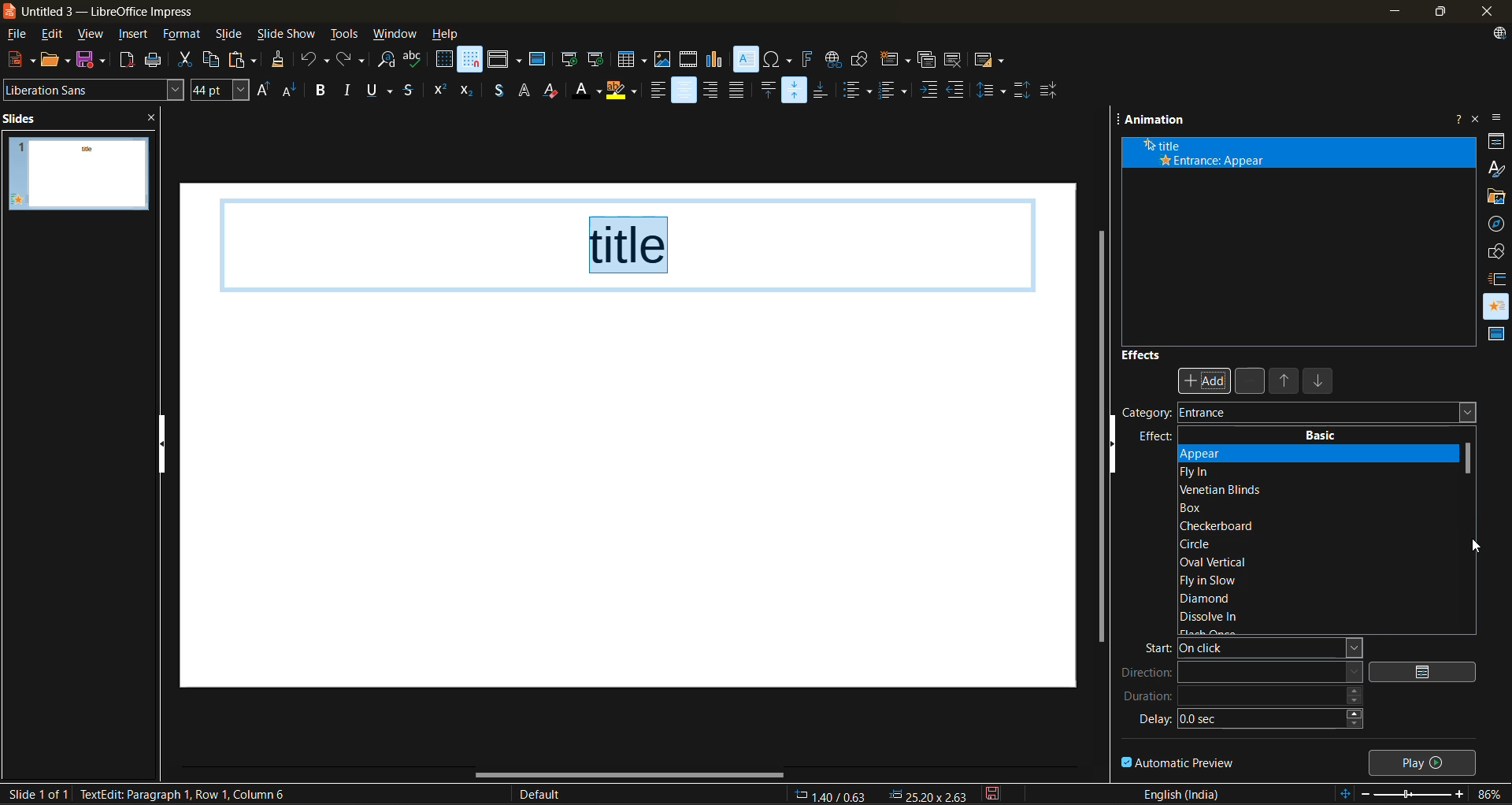 The height and width of the screenshot is (805, 1512). Describe the element at coordinates (955, 61) in the screenshot. I see `delete slide` at that location.